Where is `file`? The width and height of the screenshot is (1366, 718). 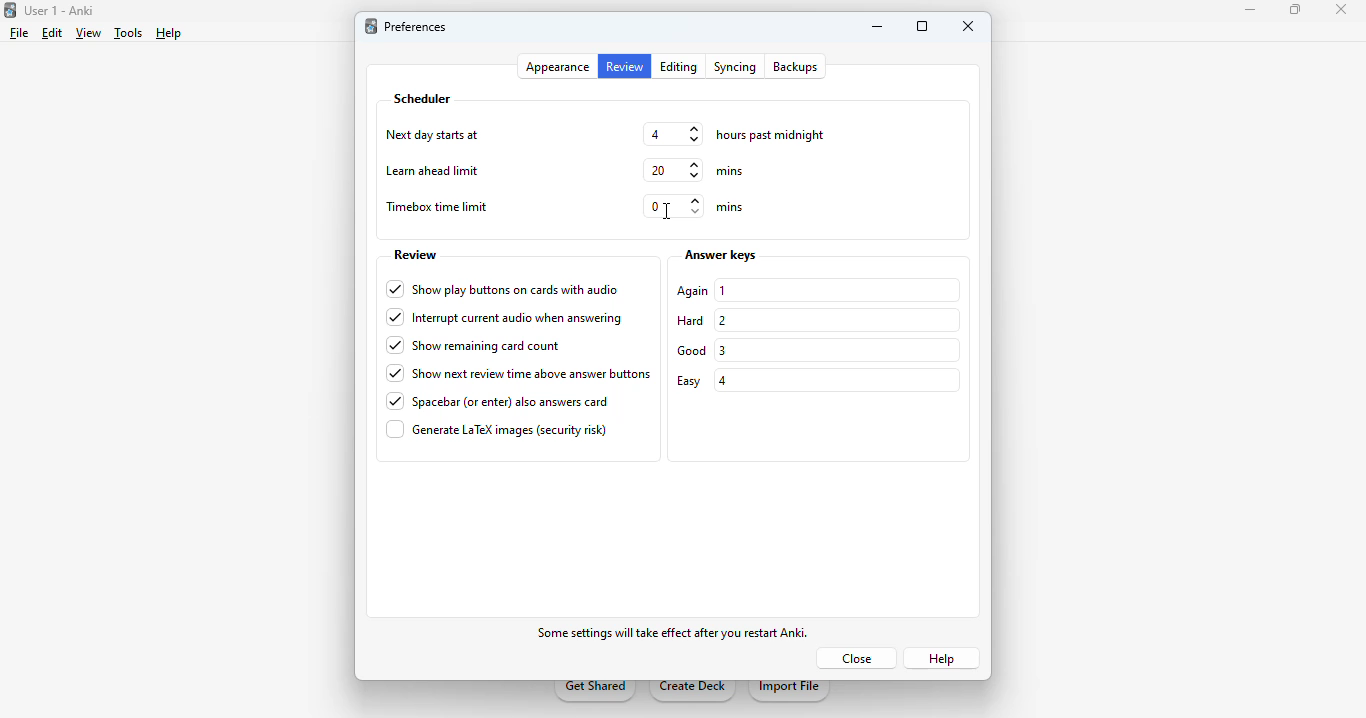
file is located at coordinates (20, 33).